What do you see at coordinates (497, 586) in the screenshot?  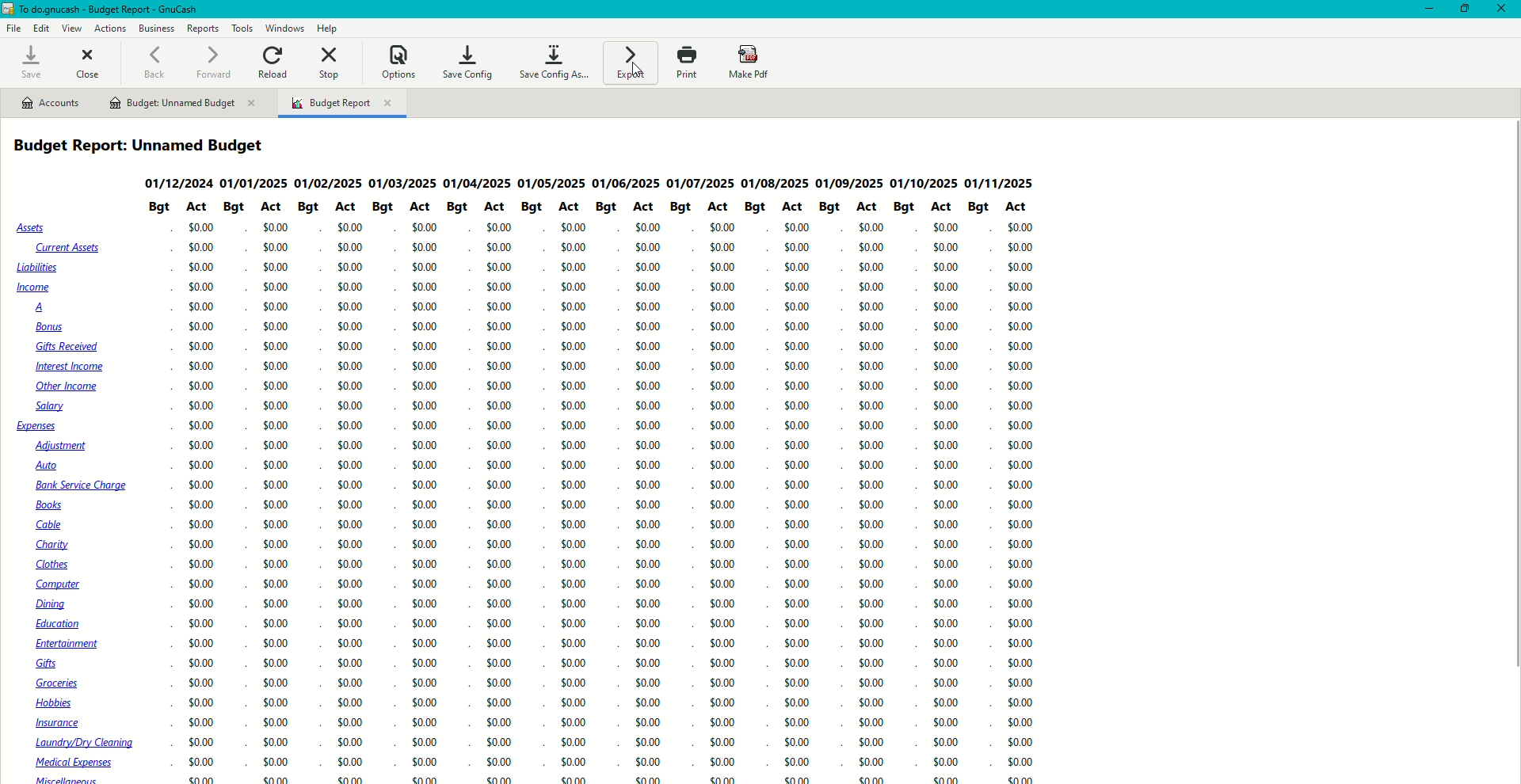 I see `$0.00` at bounding box center [497, 586].